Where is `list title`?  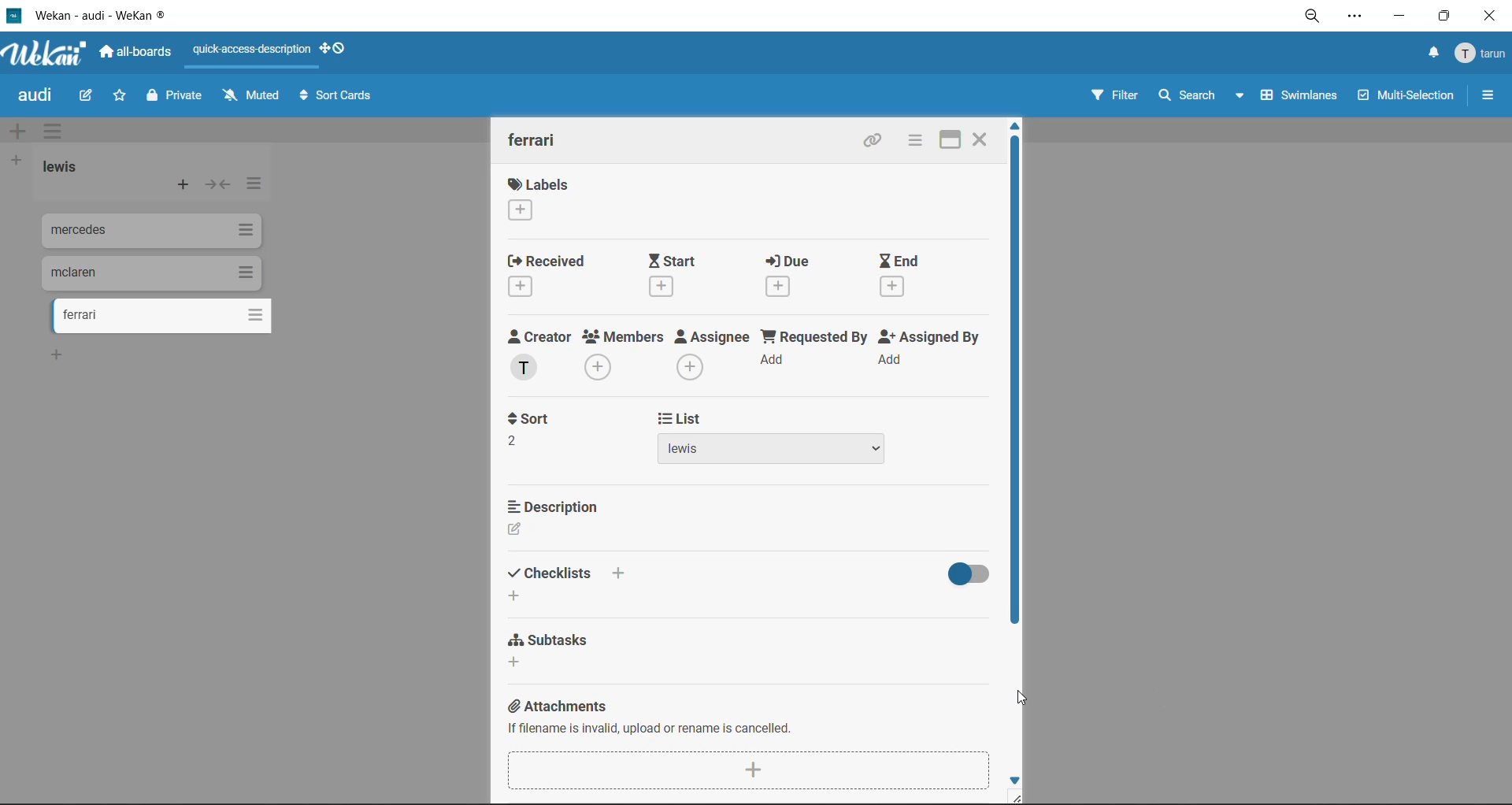 list title is located at coordinates (60, 167).